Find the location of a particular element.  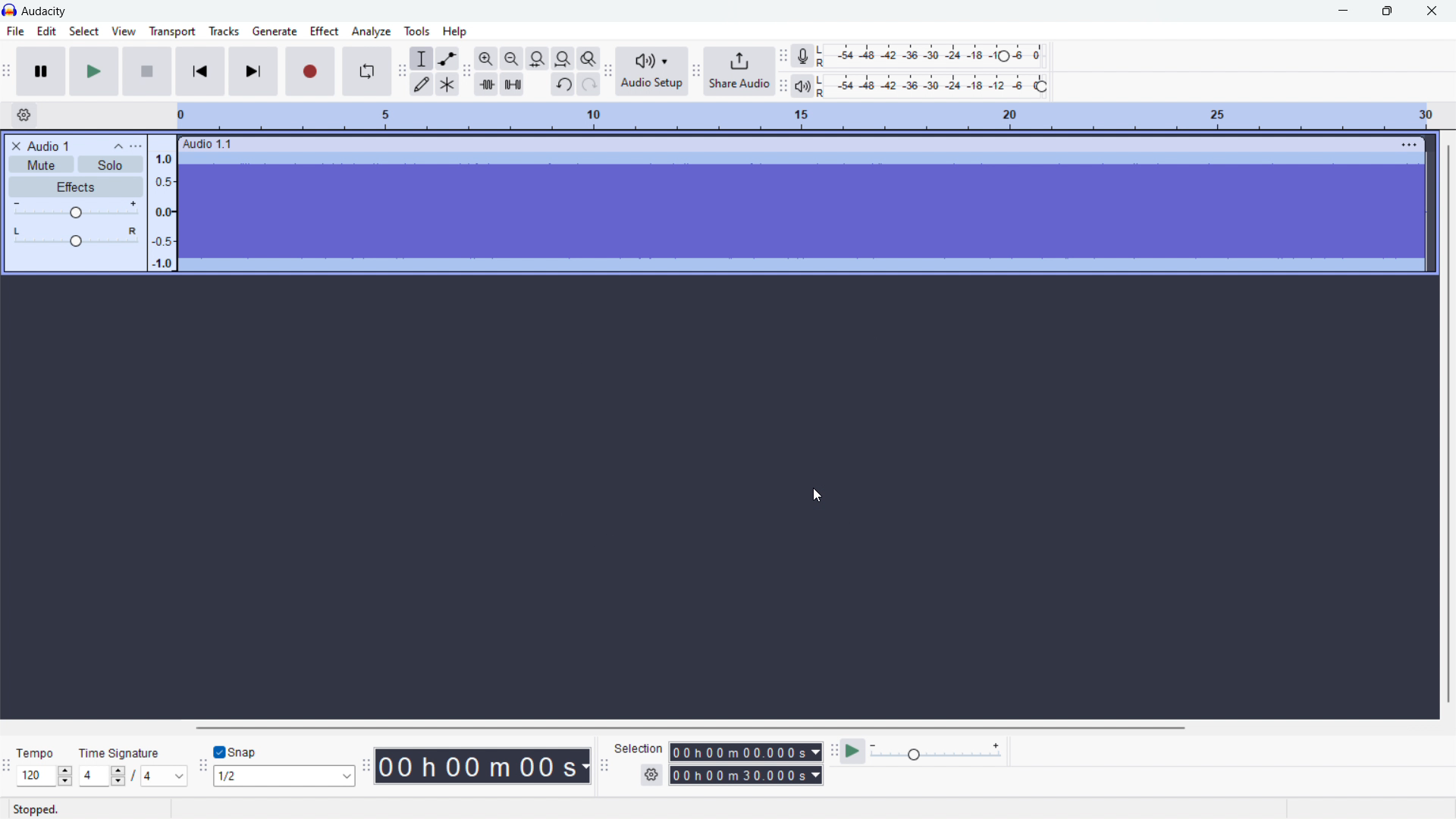

collapse is located at coordinates (117, 146).